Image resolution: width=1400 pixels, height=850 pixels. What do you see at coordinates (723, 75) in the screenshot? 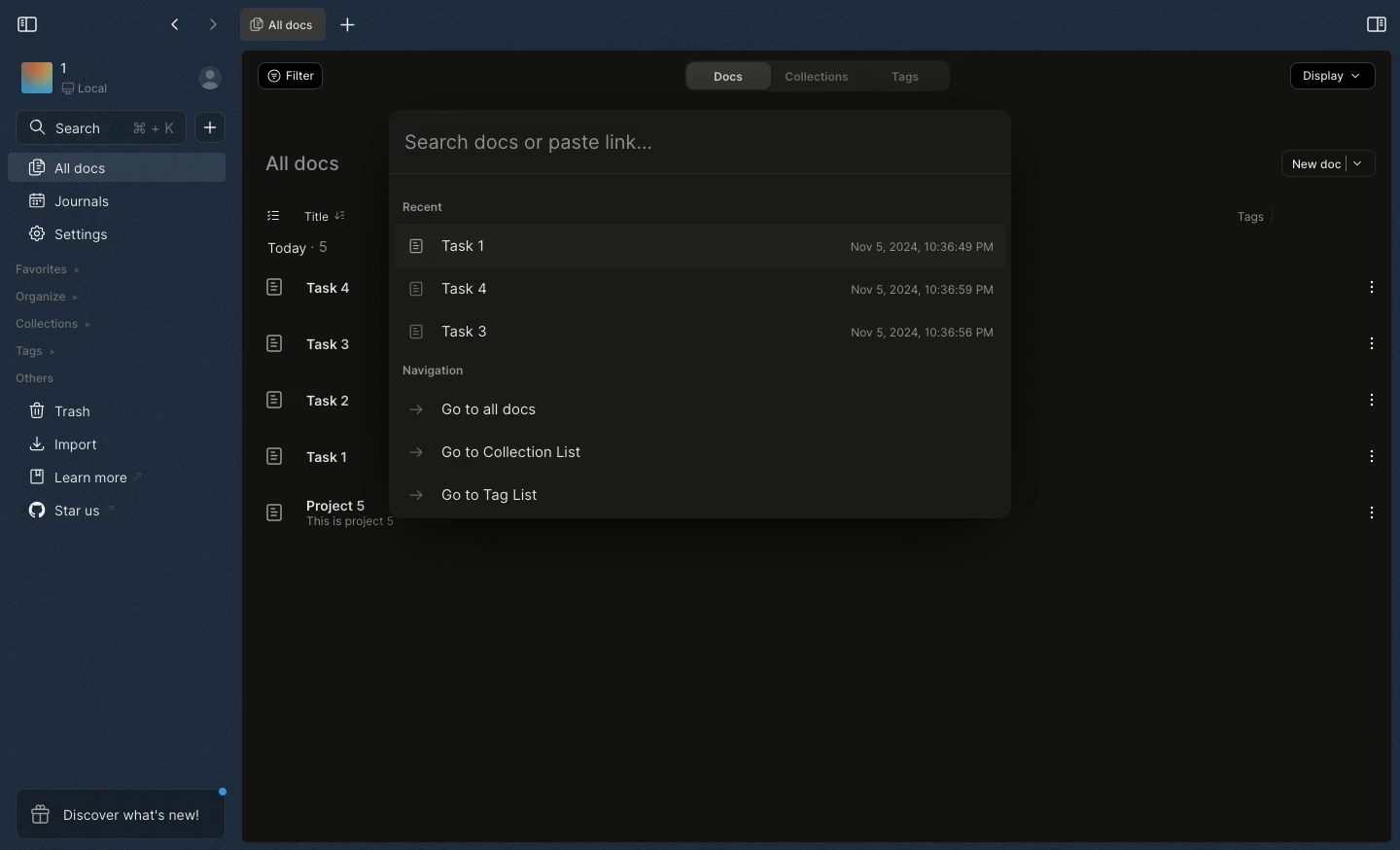
I see `Docs` at bounding box center [723, 75].